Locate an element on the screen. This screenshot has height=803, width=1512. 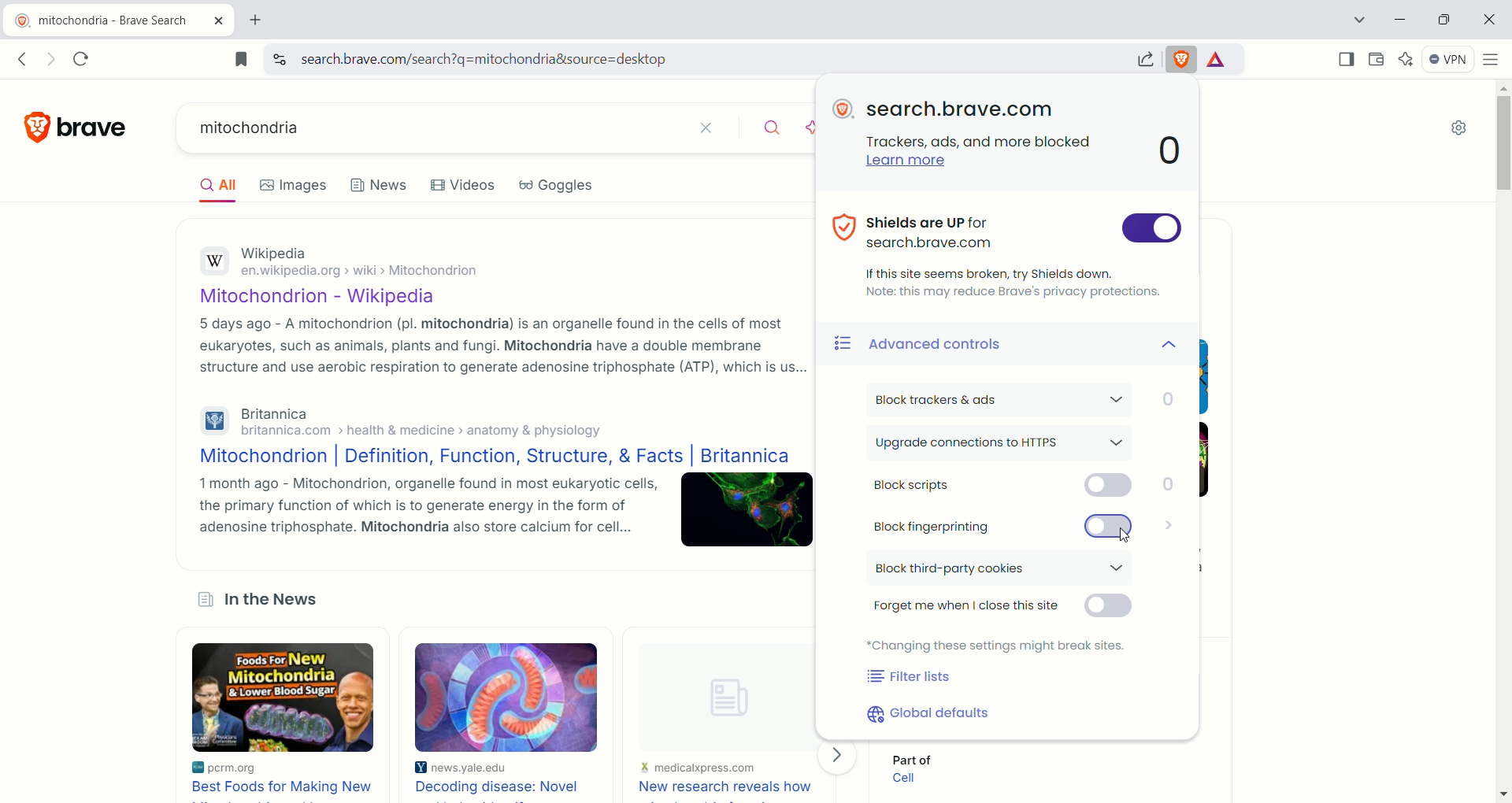
Close tab is located at coordinates (220, 21).